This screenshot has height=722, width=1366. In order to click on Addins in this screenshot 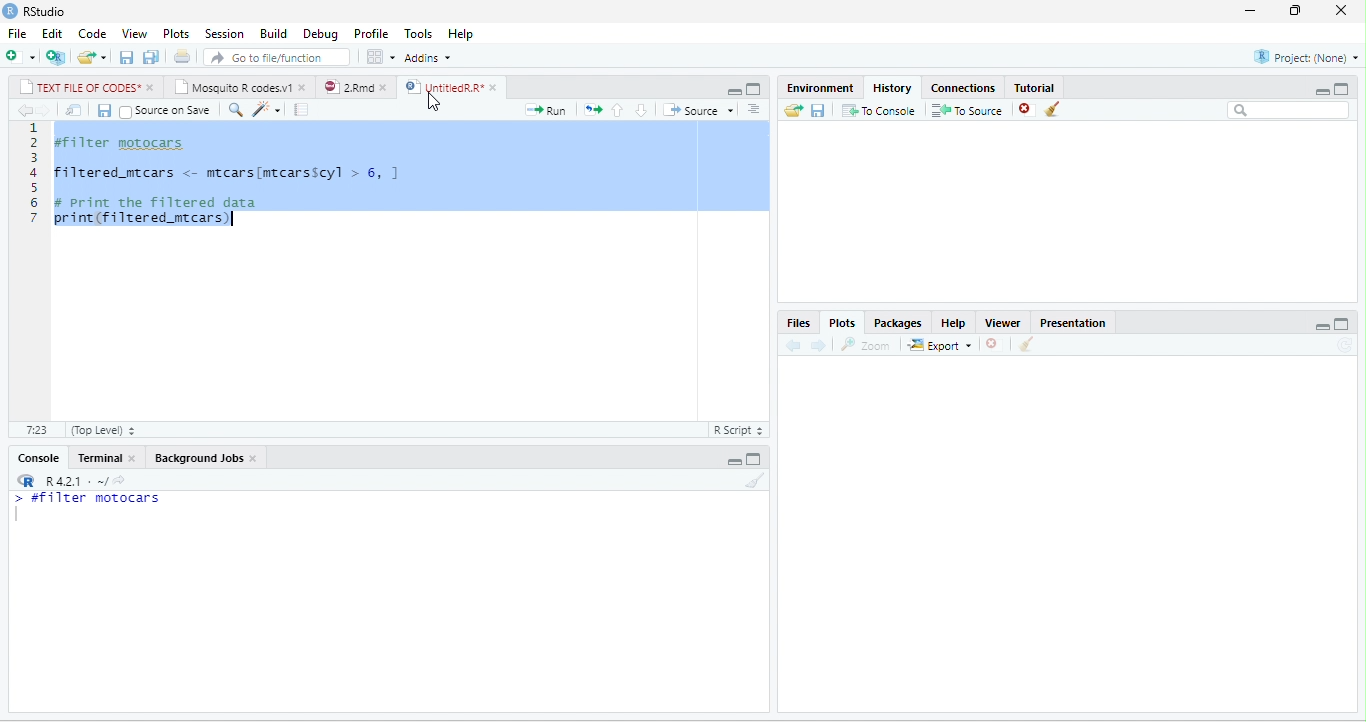, I will do `click(427, 57)`.